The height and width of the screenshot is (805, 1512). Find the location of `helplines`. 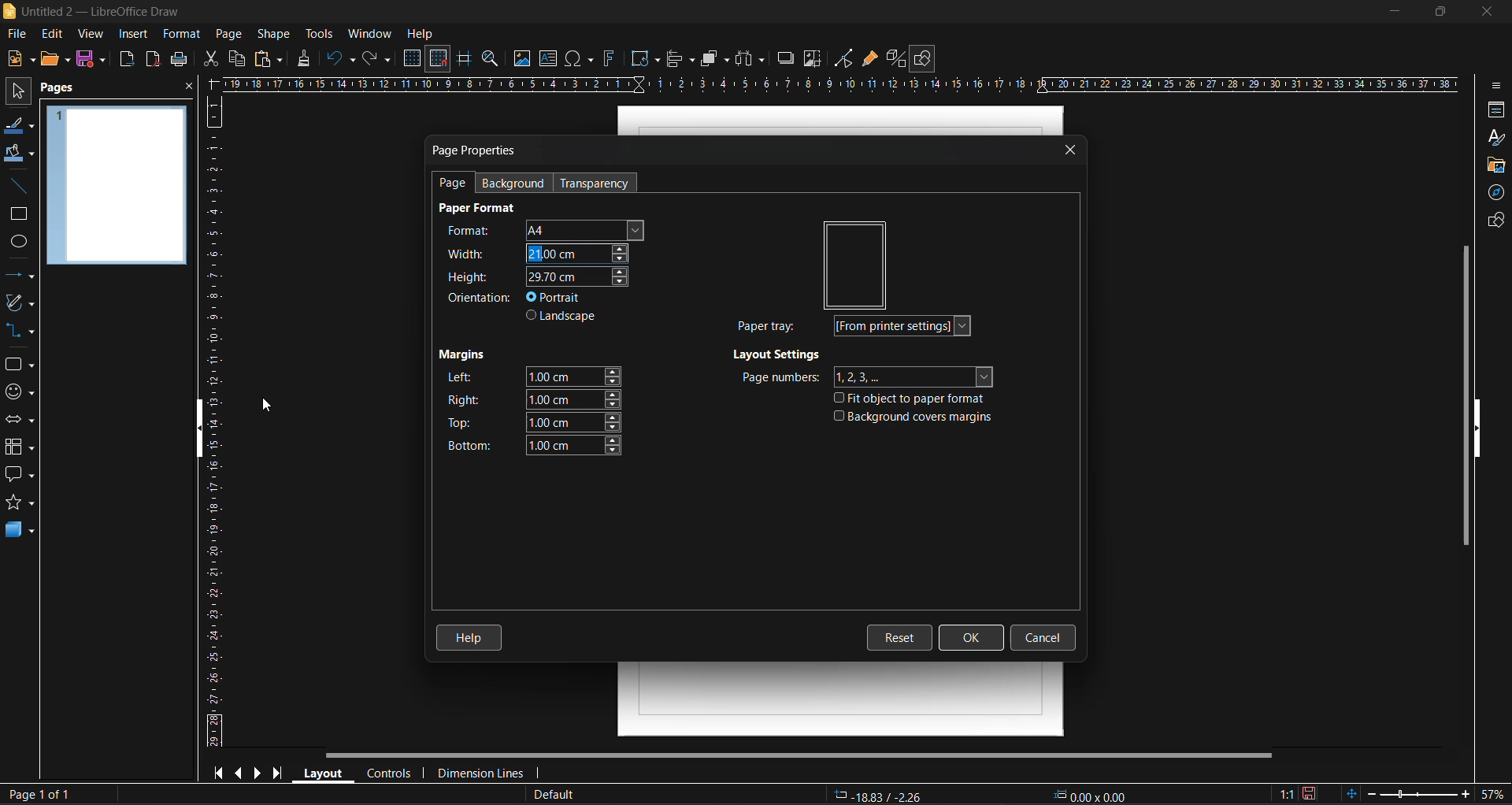

helplines is located at coordinates (465, 57).